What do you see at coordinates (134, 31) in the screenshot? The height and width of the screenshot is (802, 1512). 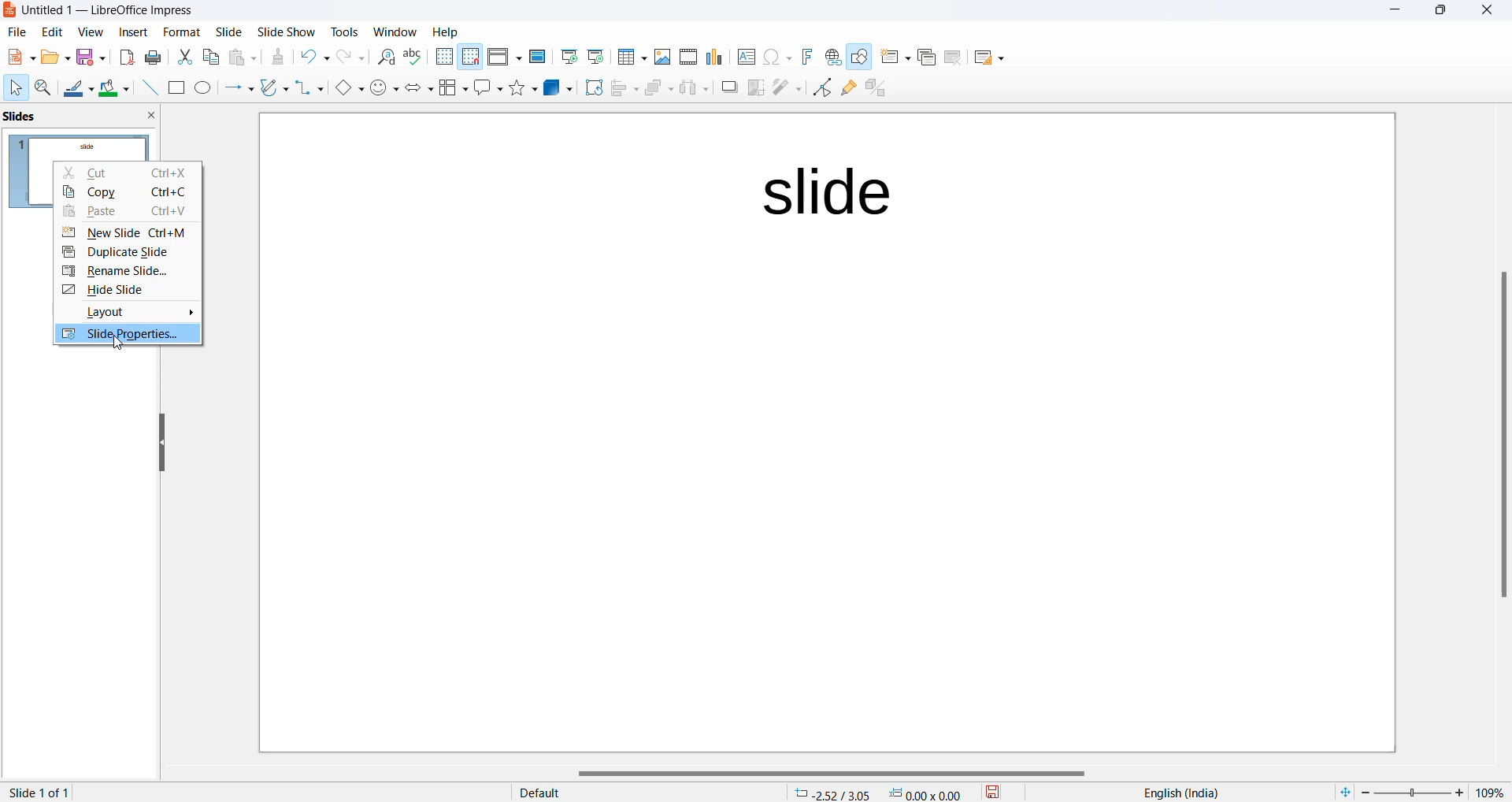 I see `insert` at bounding box center [134, 31].